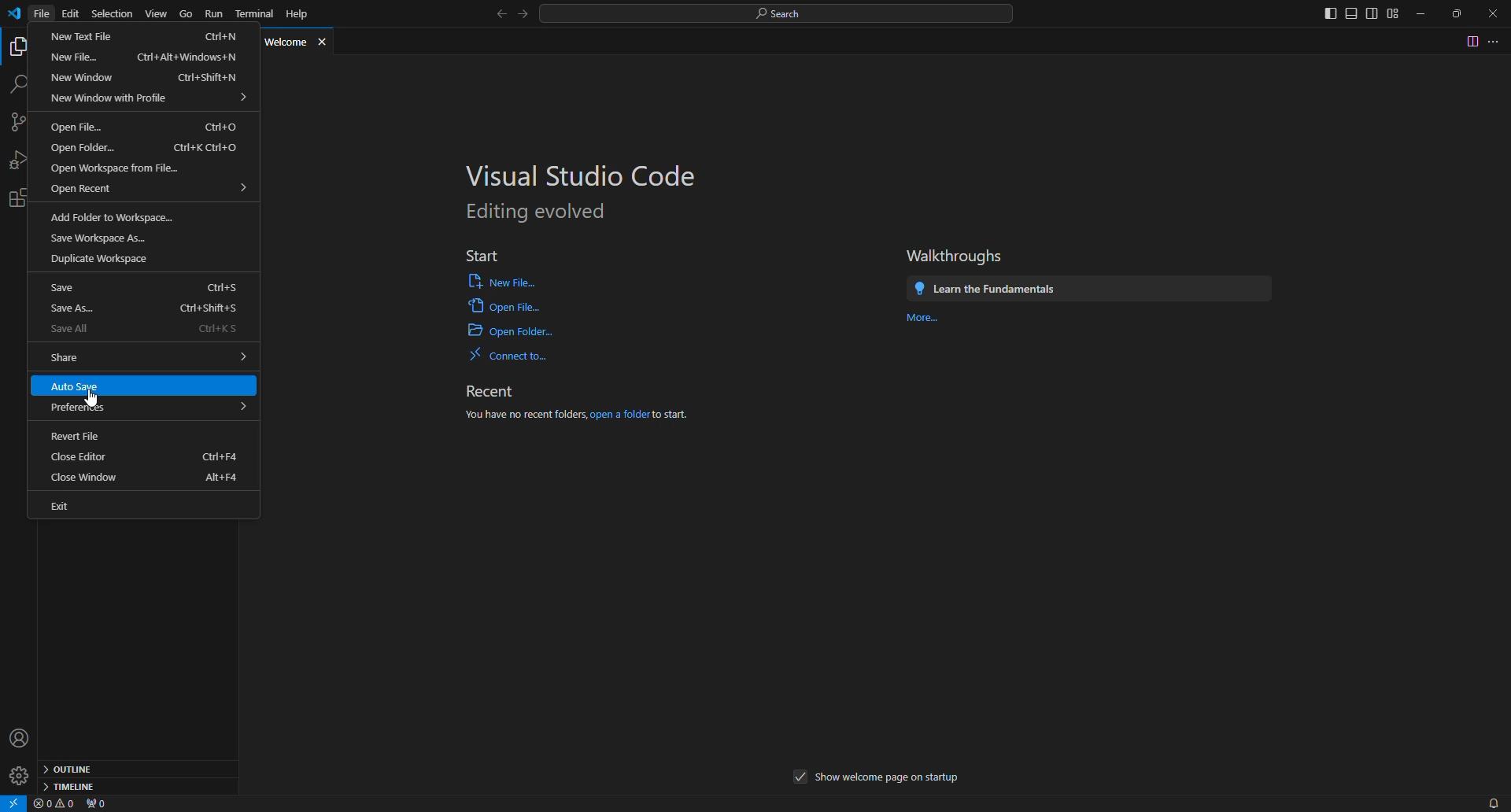  Describe the element at coordinates (298, 13) in the screenshot. I see `help` at that location.